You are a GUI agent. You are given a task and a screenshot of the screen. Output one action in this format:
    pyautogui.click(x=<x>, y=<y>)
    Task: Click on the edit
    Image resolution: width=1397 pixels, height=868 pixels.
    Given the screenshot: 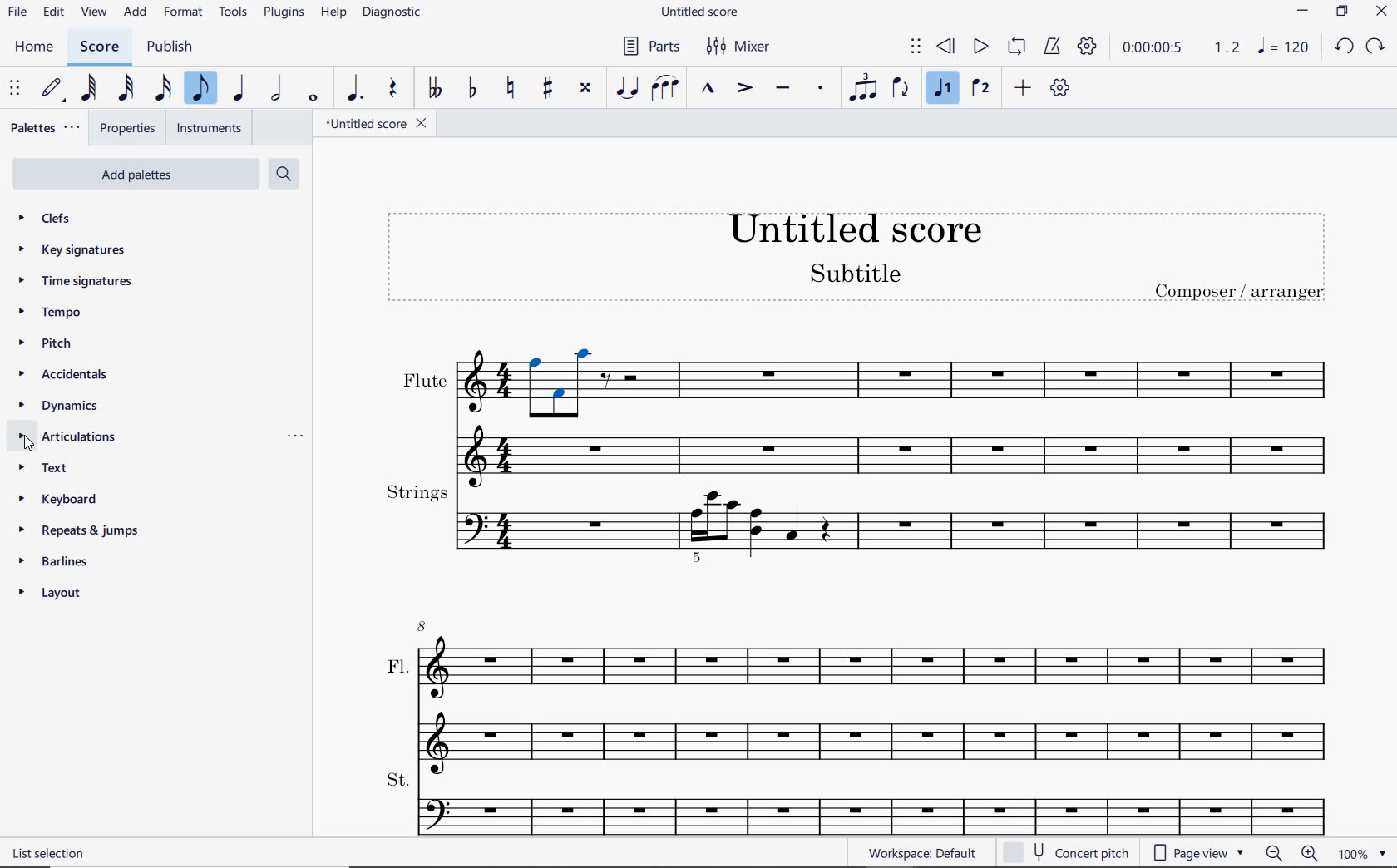 What is the action you would take?
    pyautogui.click(x=53, y=12)
    